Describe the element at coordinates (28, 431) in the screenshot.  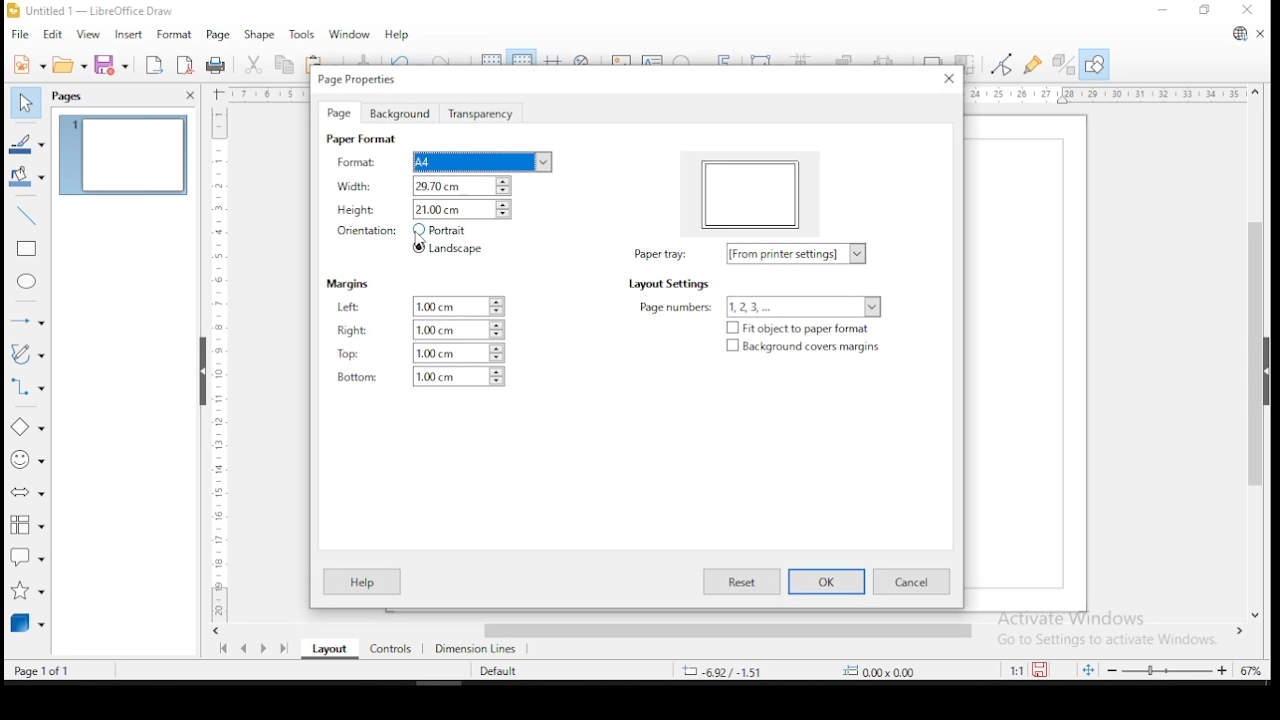
I see `simple shapes` at that location.